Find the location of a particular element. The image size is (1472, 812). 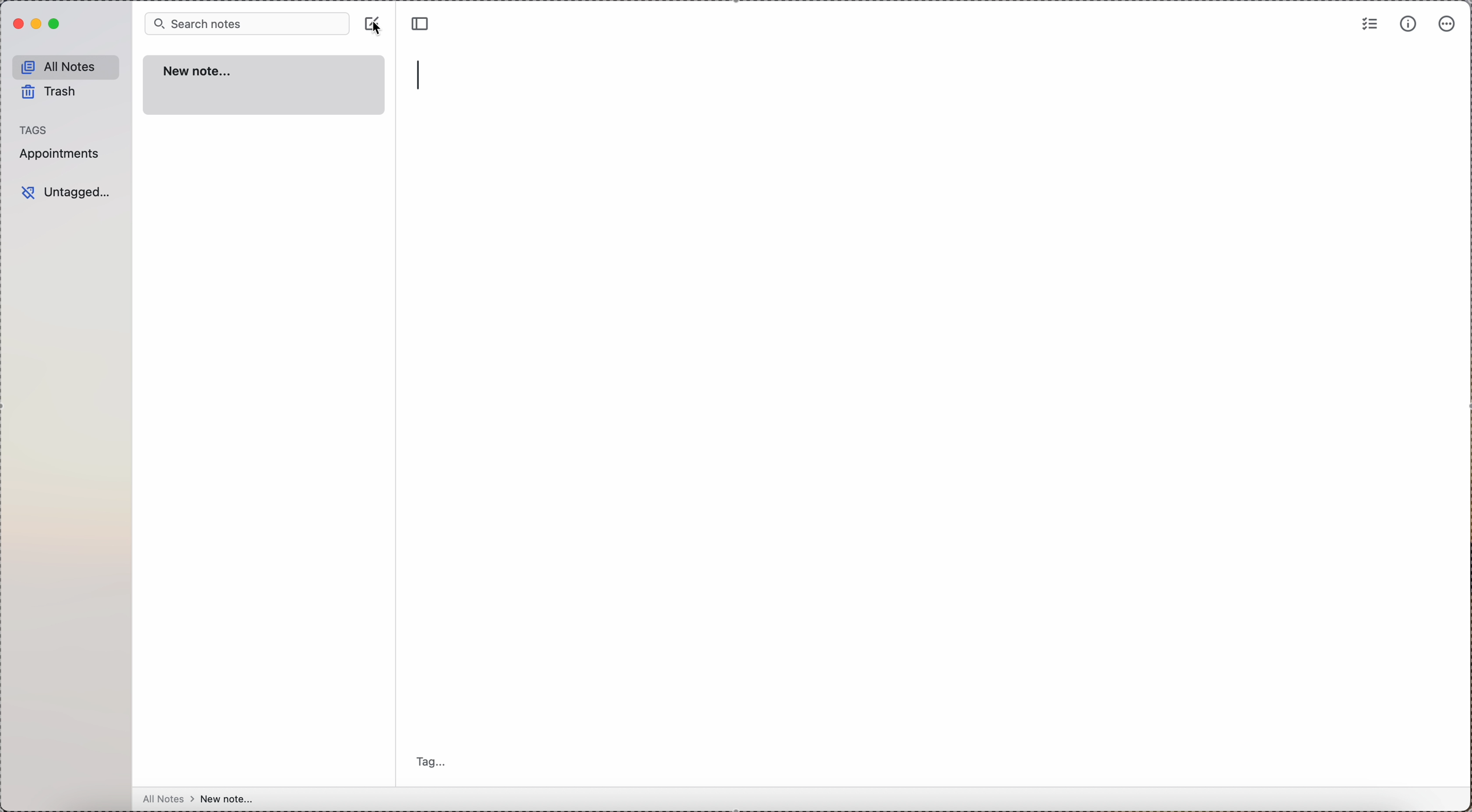

trash is located at coordinates (51, 94).